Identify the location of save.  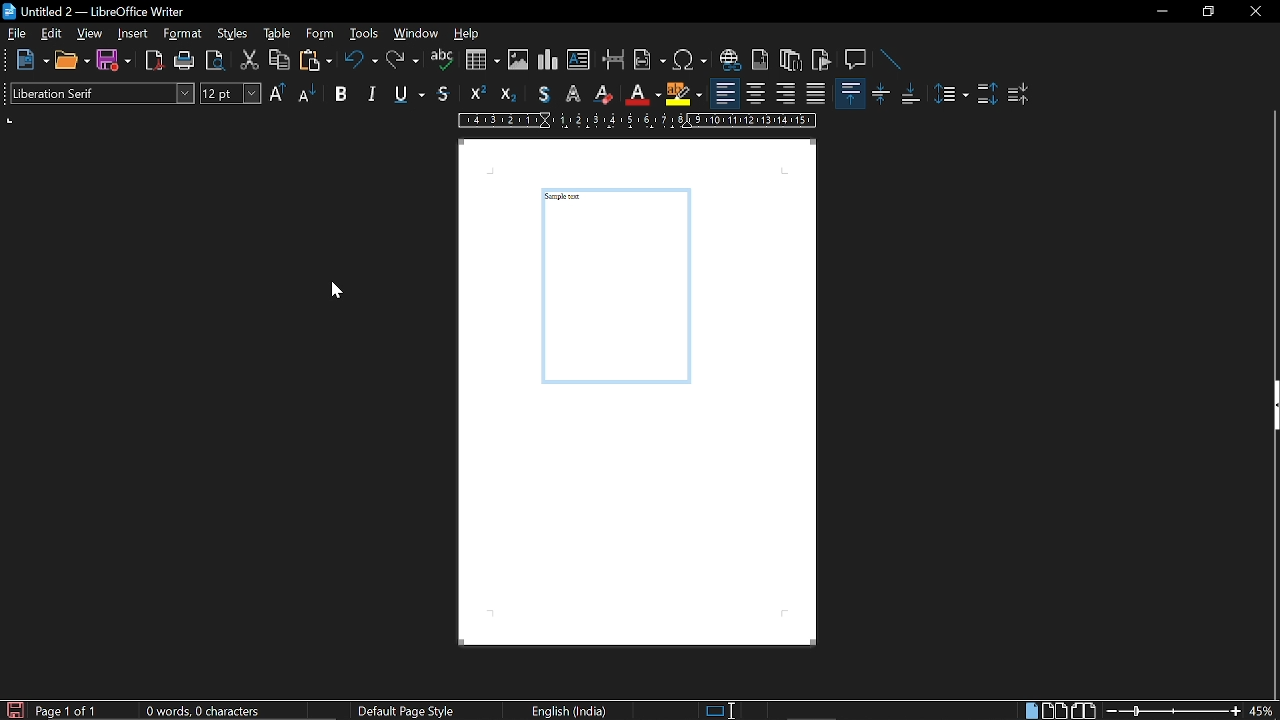
(112, 60).